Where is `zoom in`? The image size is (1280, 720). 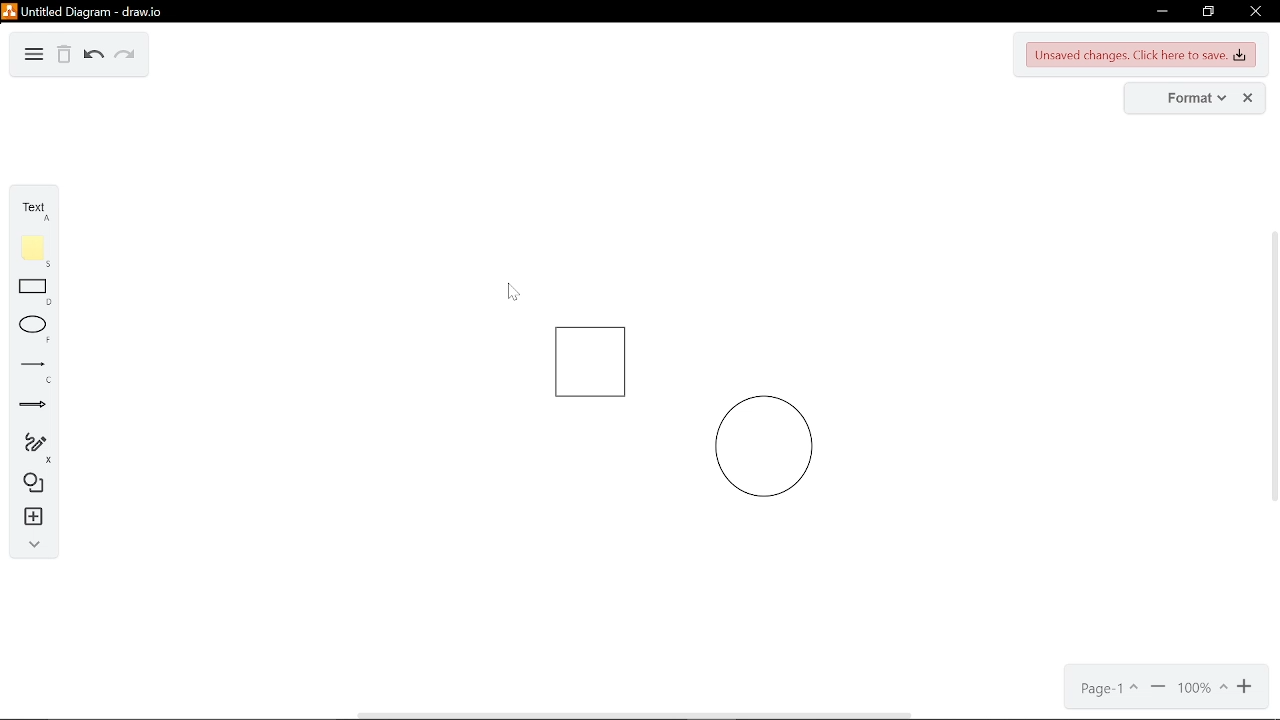
zoom in is located at coordinates (1246, 689).